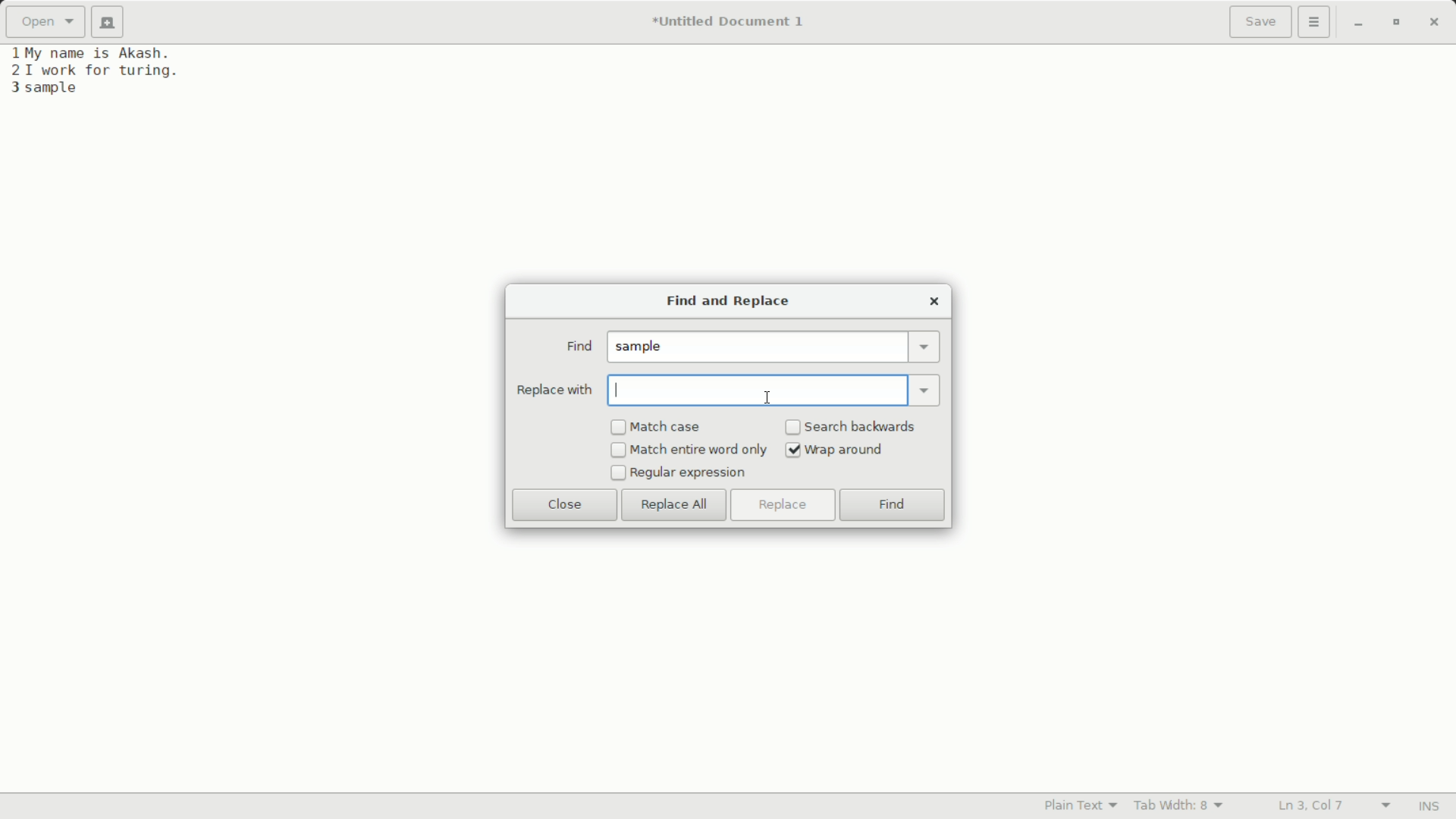 The height and width of the screenshot is (819, 1456). What do you see at coordinates (1428, 807) in the screenshot?
I see `INS` at bounding box center [1428, 807].